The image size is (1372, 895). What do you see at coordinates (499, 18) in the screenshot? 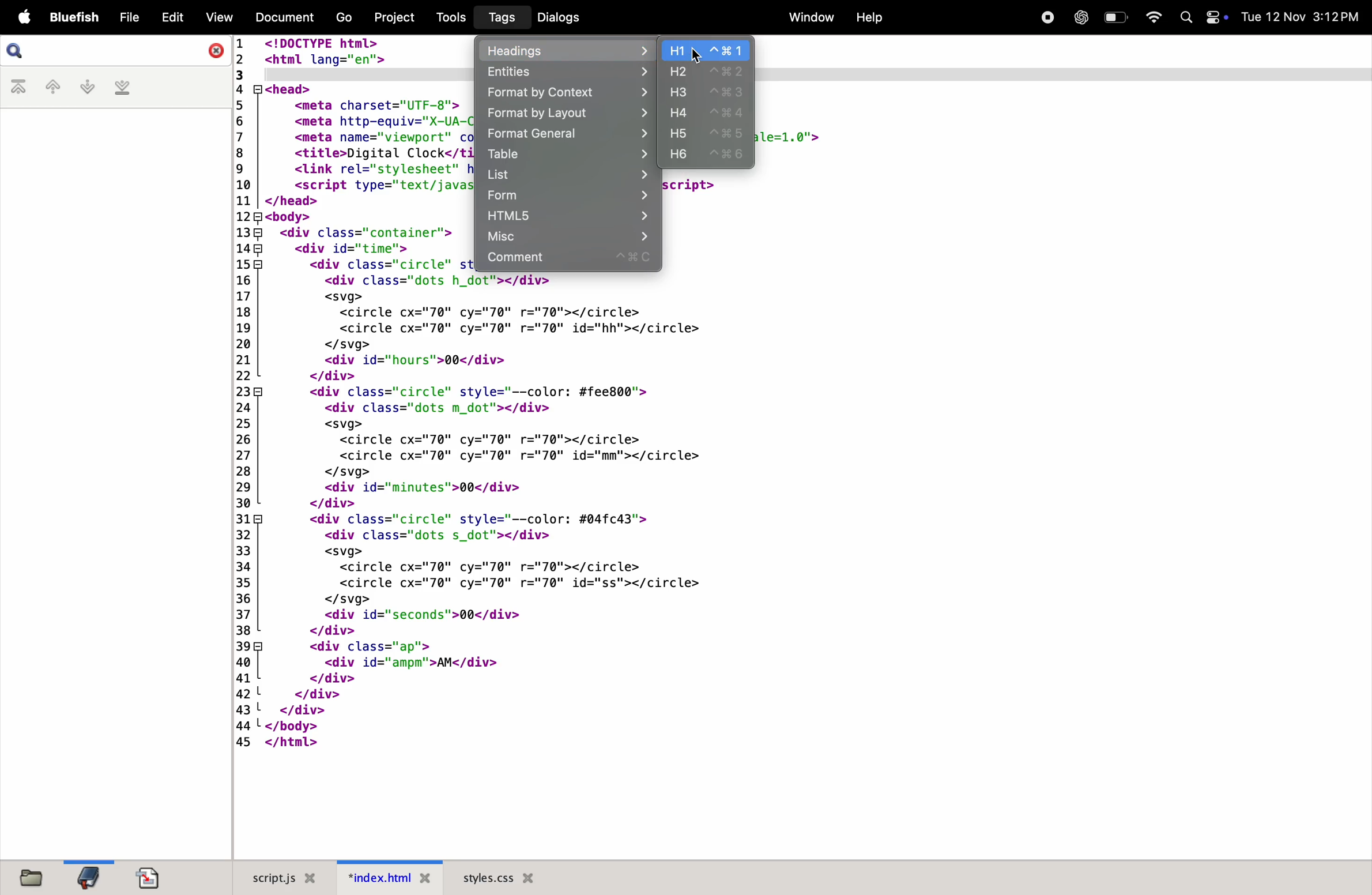
I see `tags` at bounding box center [499, 18].